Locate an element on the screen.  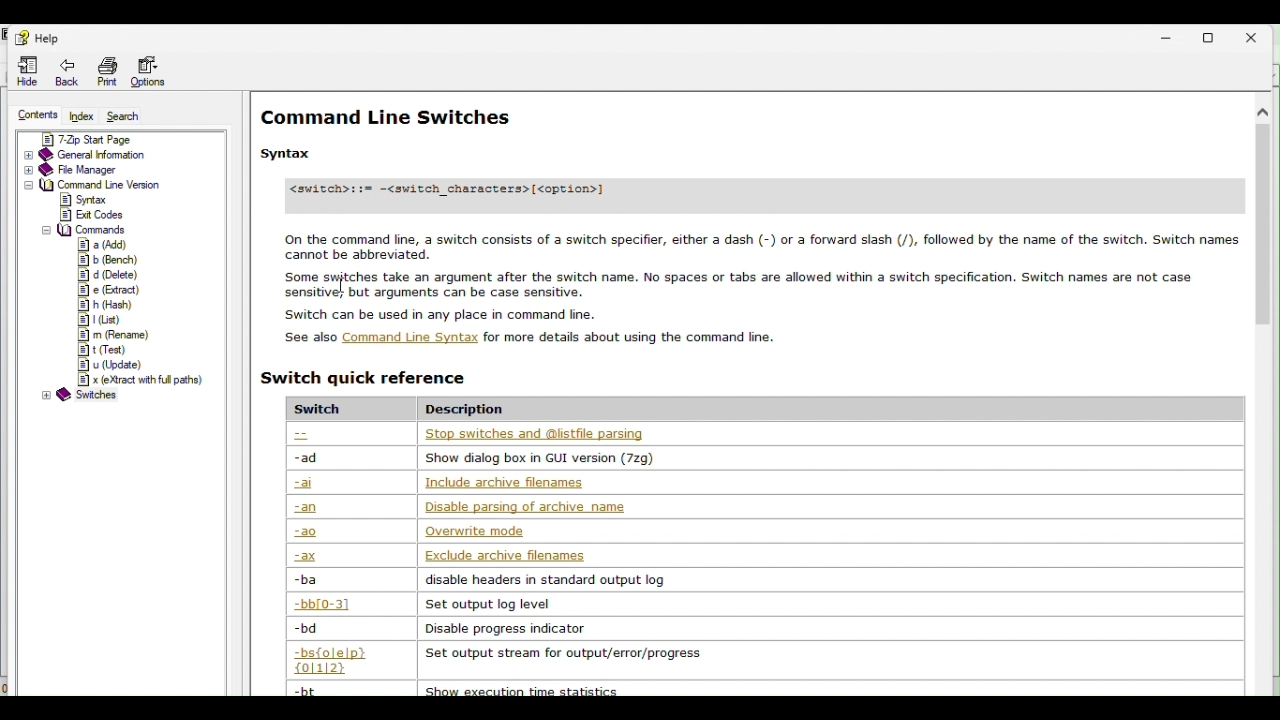
-bt is located at coordinates (325, 690).